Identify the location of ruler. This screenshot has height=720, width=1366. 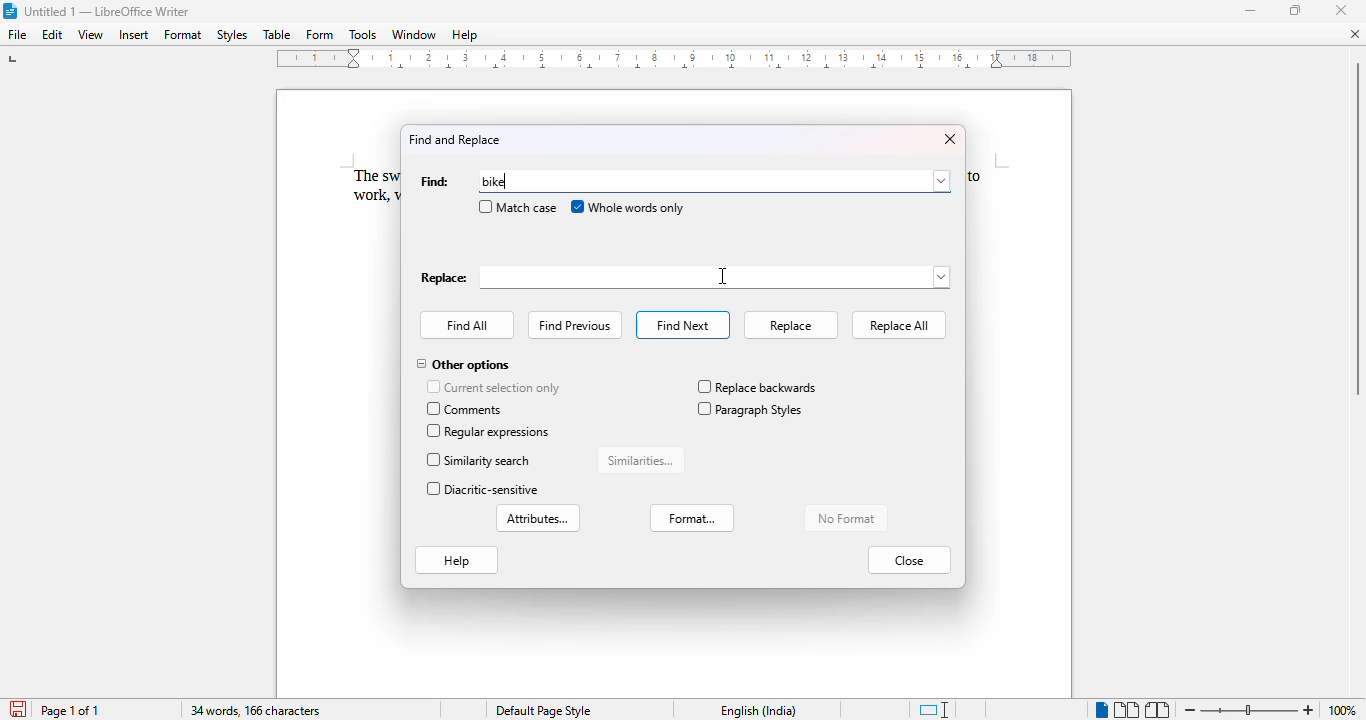
(675, 59).